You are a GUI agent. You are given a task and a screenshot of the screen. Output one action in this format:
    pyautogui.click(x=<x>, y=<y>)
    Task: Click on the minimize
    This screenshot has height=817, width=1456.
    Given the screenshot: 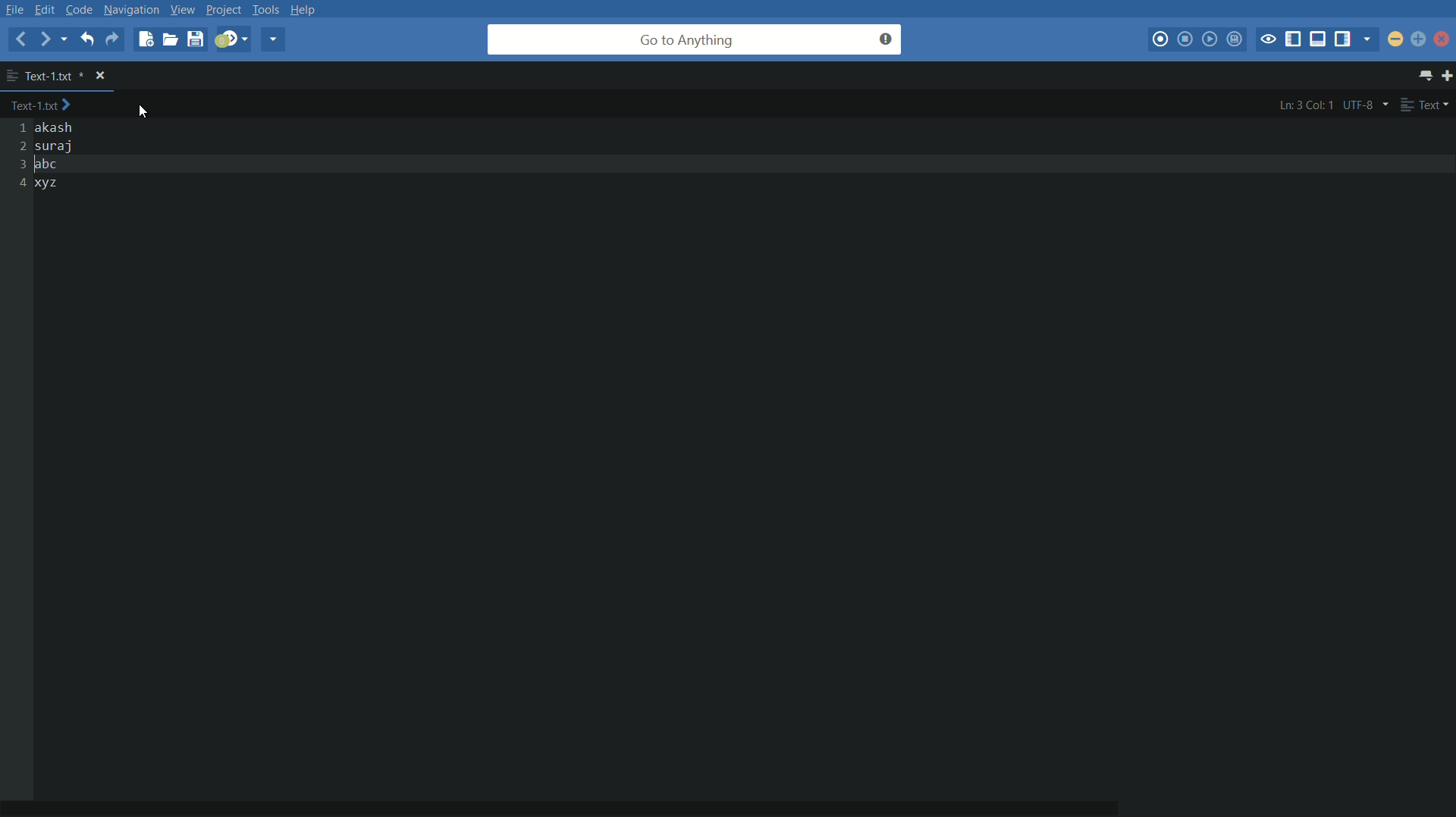 What is the action you would take?
    pyautogui.click(x=1396, y=39)
    